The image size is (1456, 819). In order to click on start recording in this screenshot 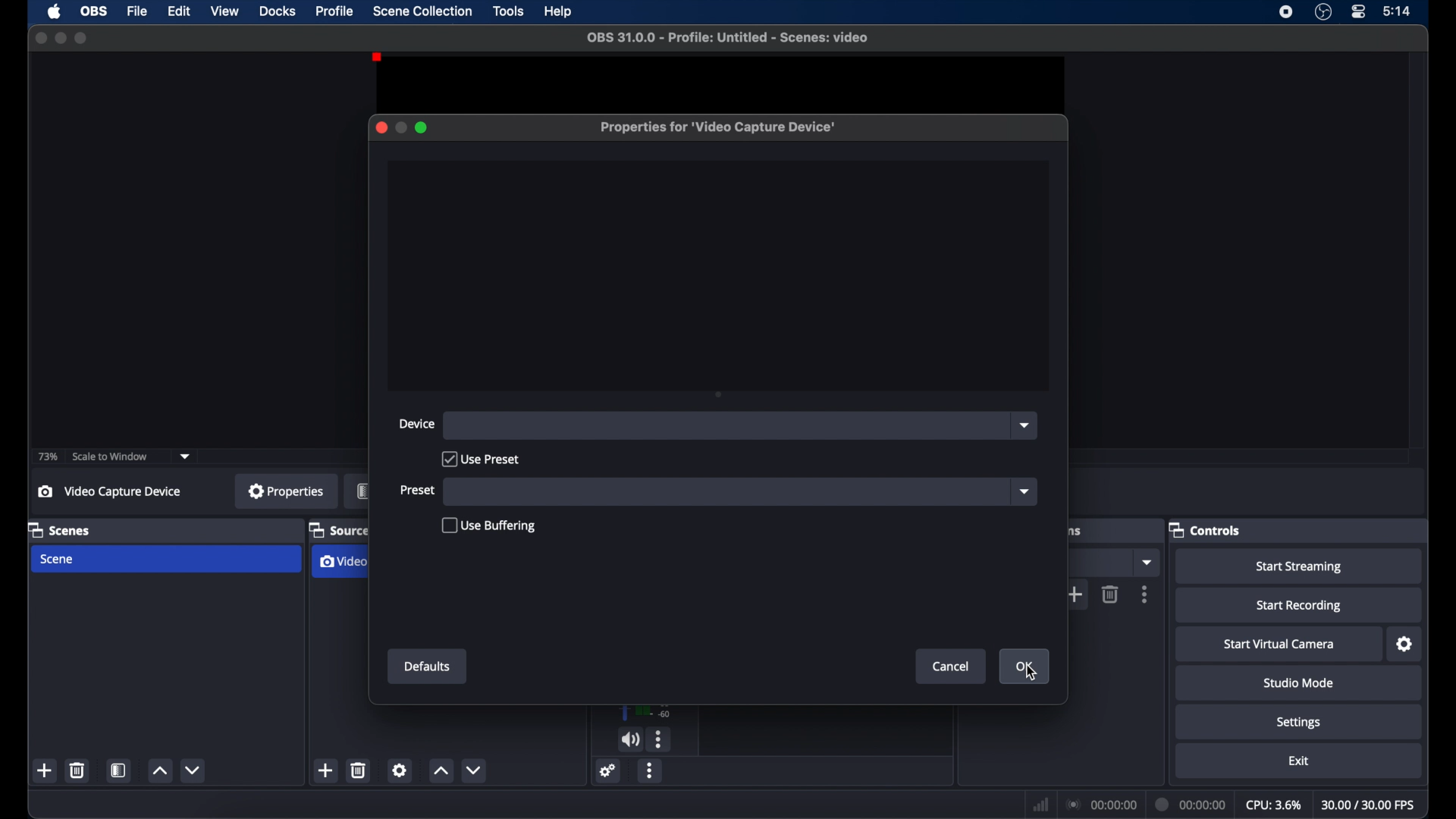, I will do `click(1300, 606)`.